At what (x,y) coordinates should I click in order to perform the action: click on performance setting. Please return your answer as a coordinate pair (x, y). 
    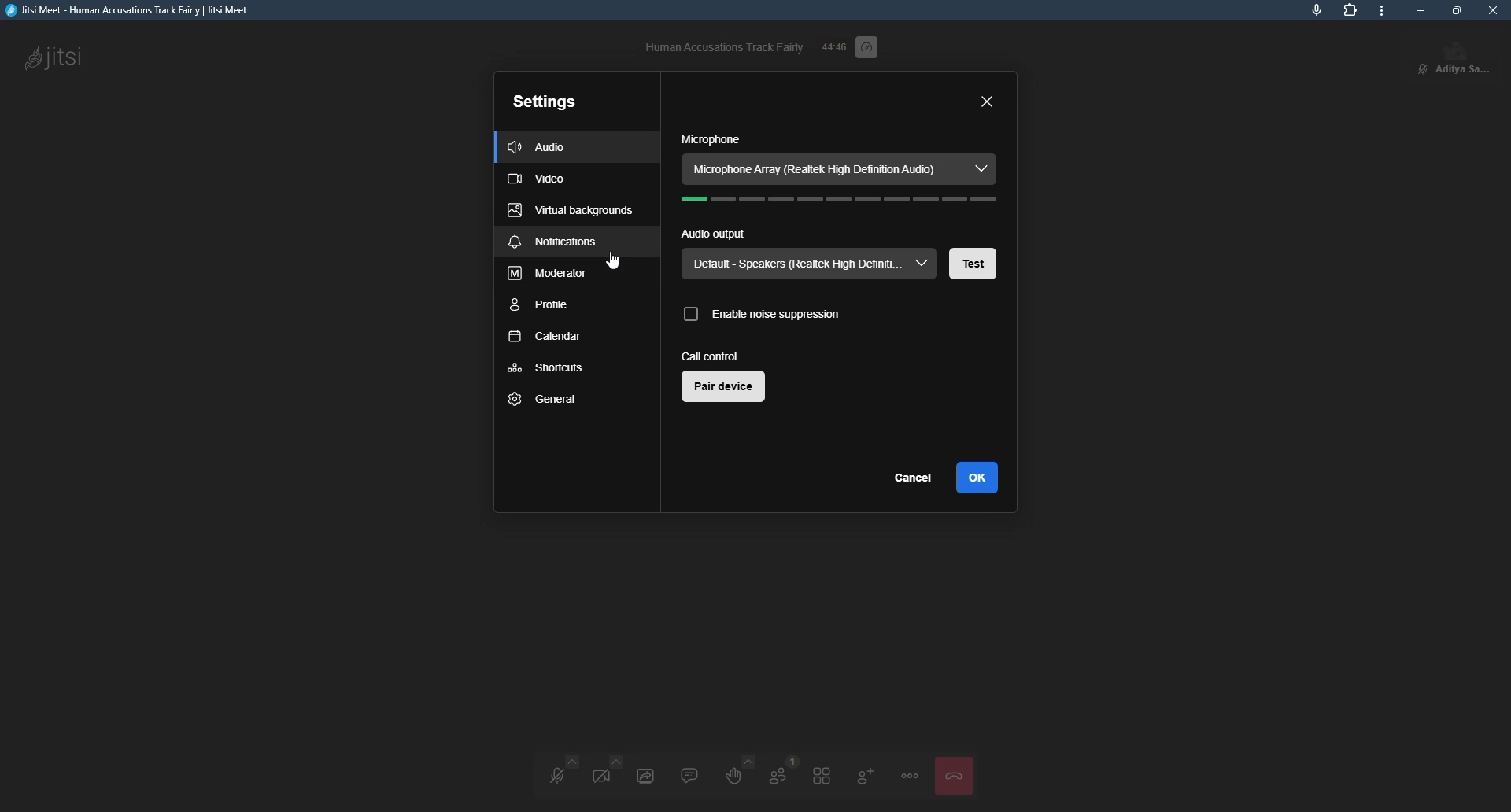
    Looking at the image, I should click on (870, 48).